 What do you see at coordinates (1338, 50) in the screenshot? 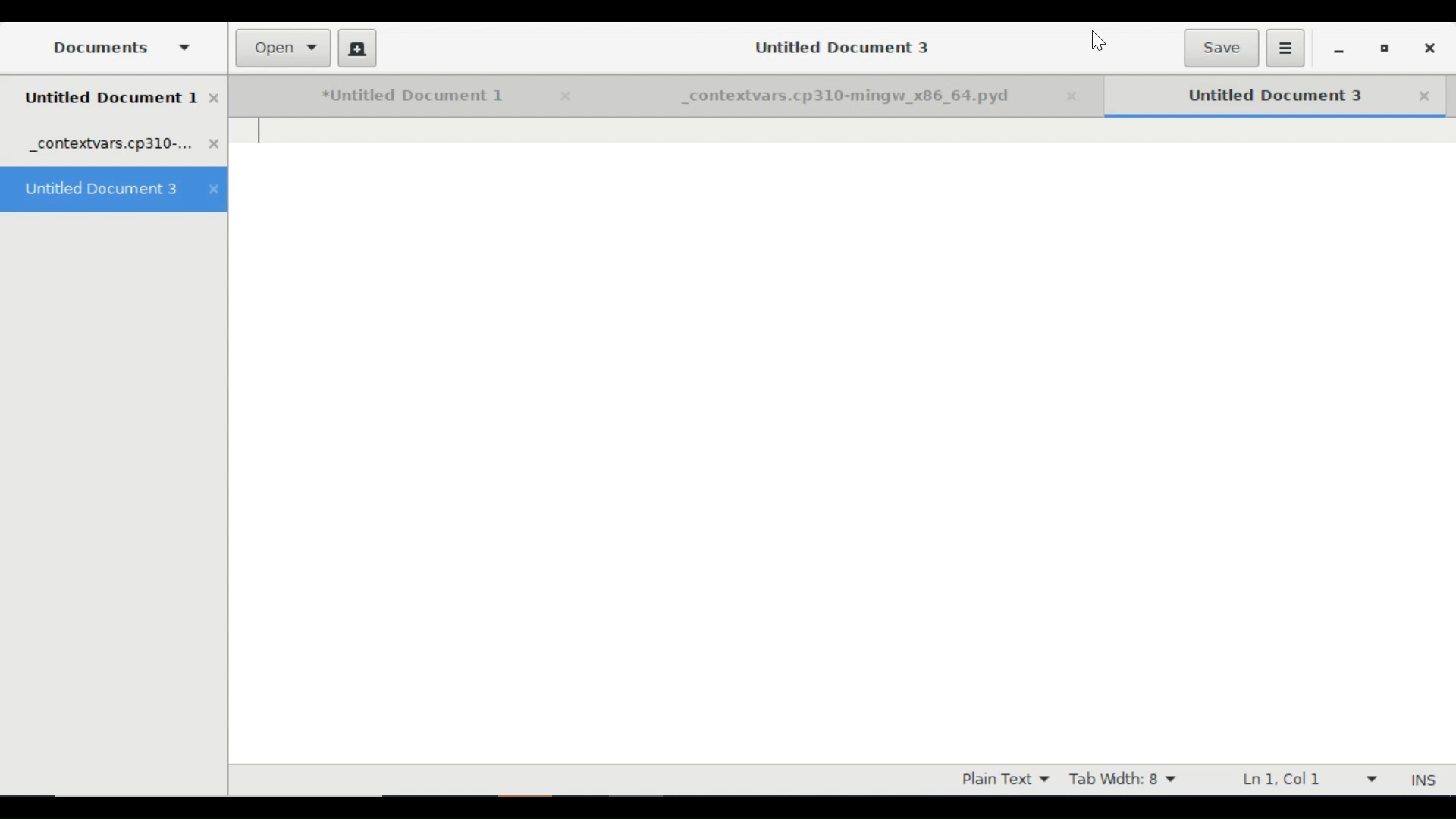
I see `minimize` at bounding box center [1338, 50].